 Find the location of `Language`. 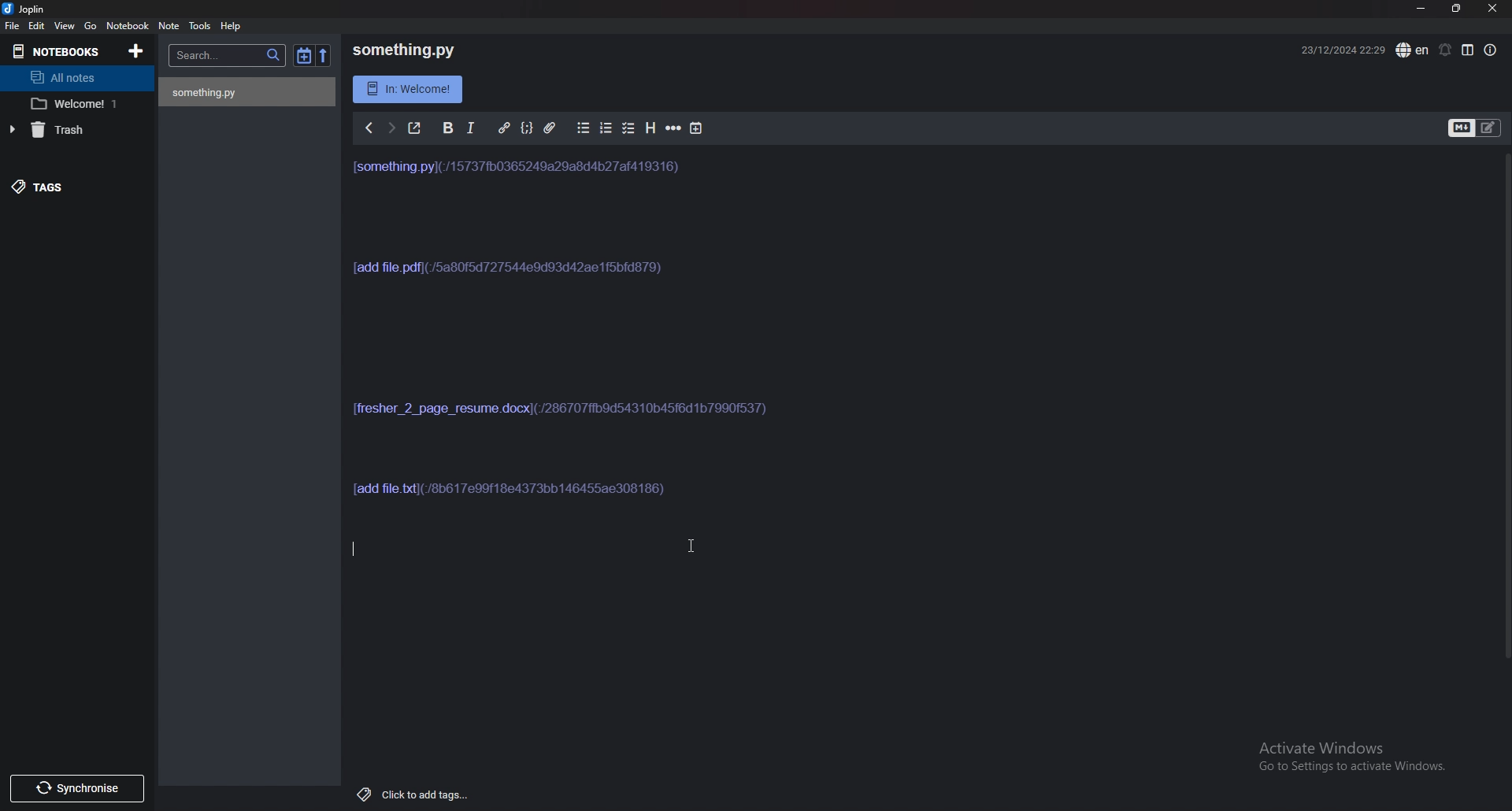

Language is located at coordinates (1413, 50).